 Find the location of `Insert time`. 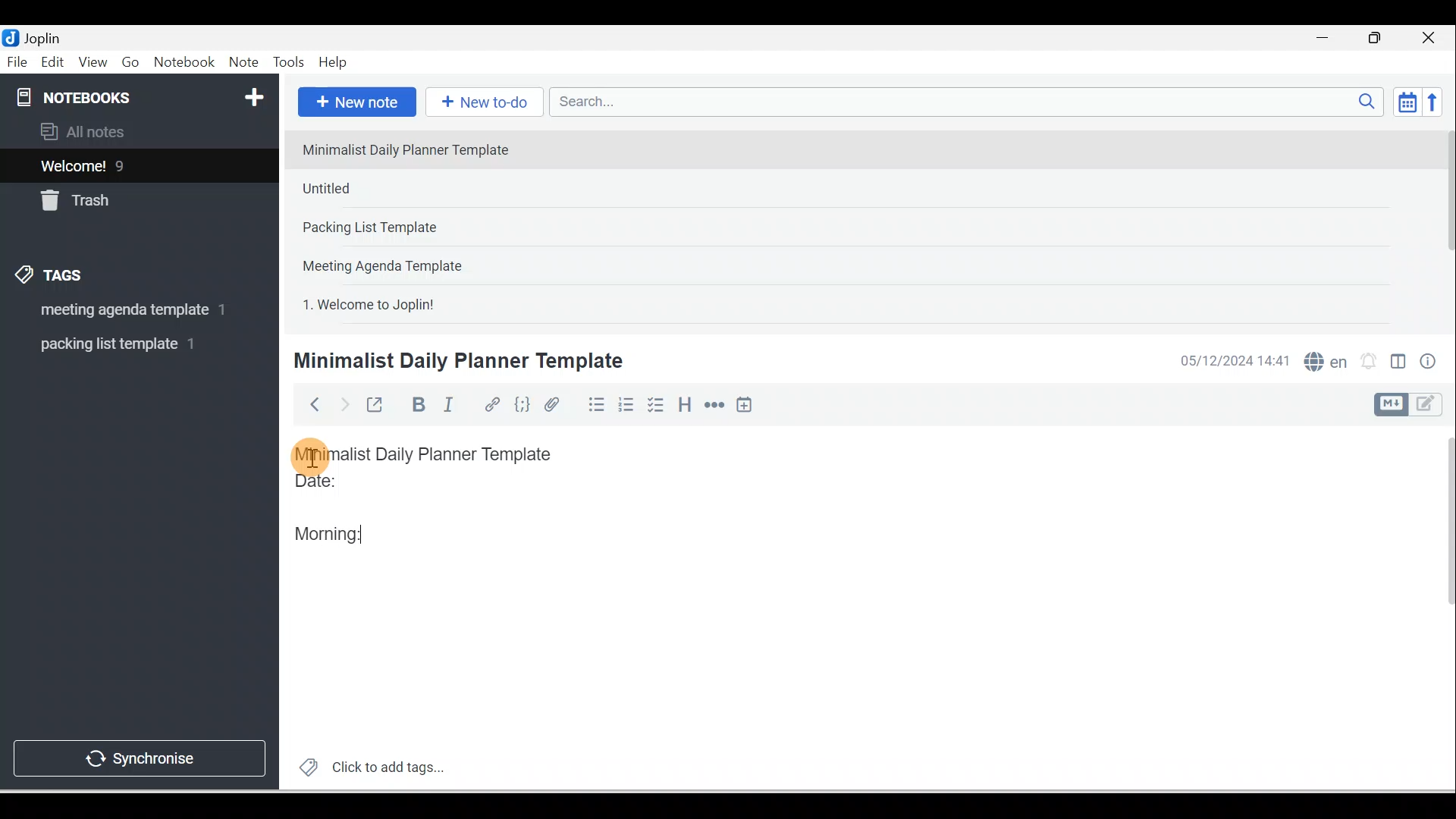

Insert time is located at coordinates (744, 406).